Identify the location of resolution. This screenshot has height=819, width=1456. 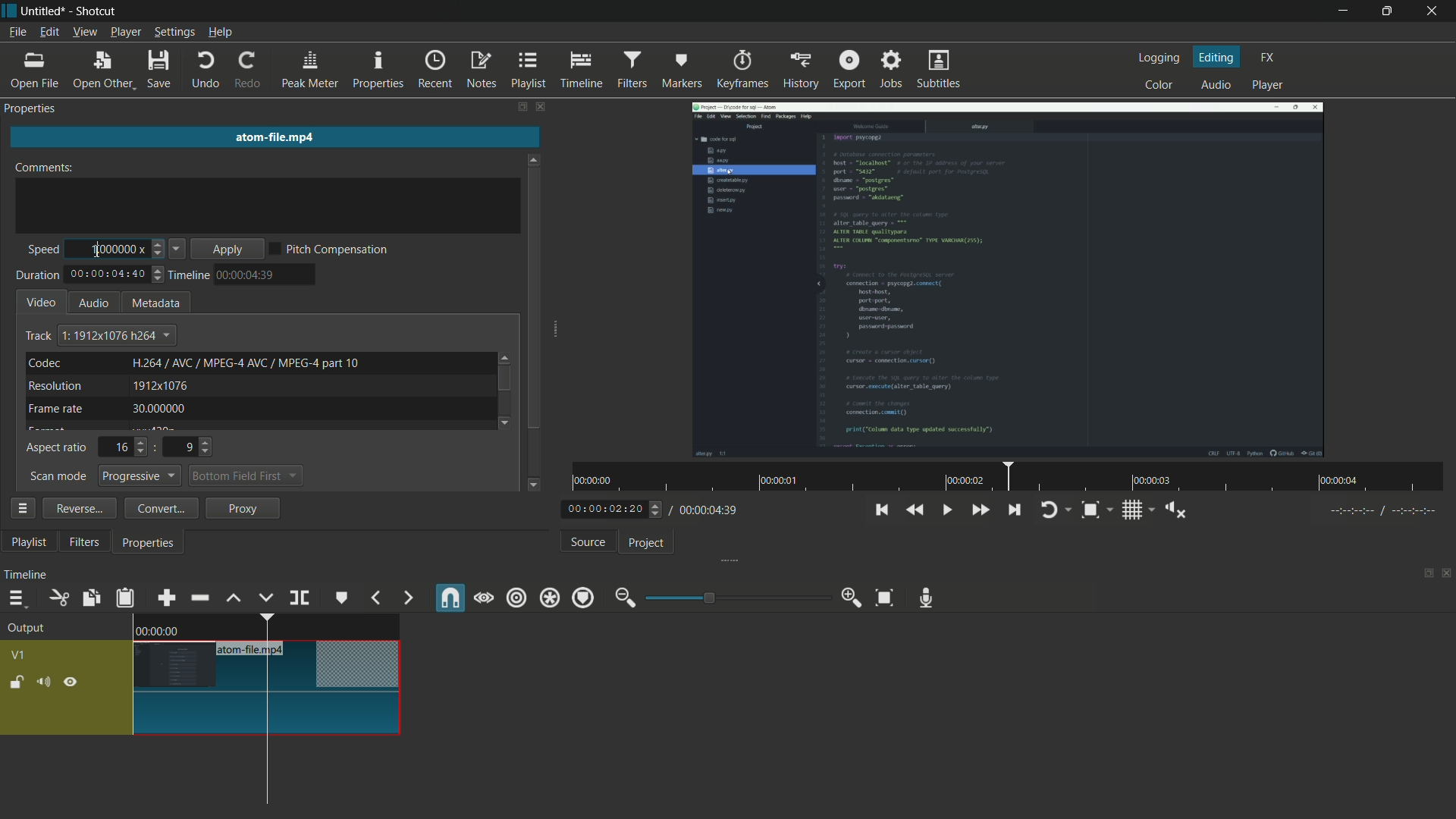
(55, 386).